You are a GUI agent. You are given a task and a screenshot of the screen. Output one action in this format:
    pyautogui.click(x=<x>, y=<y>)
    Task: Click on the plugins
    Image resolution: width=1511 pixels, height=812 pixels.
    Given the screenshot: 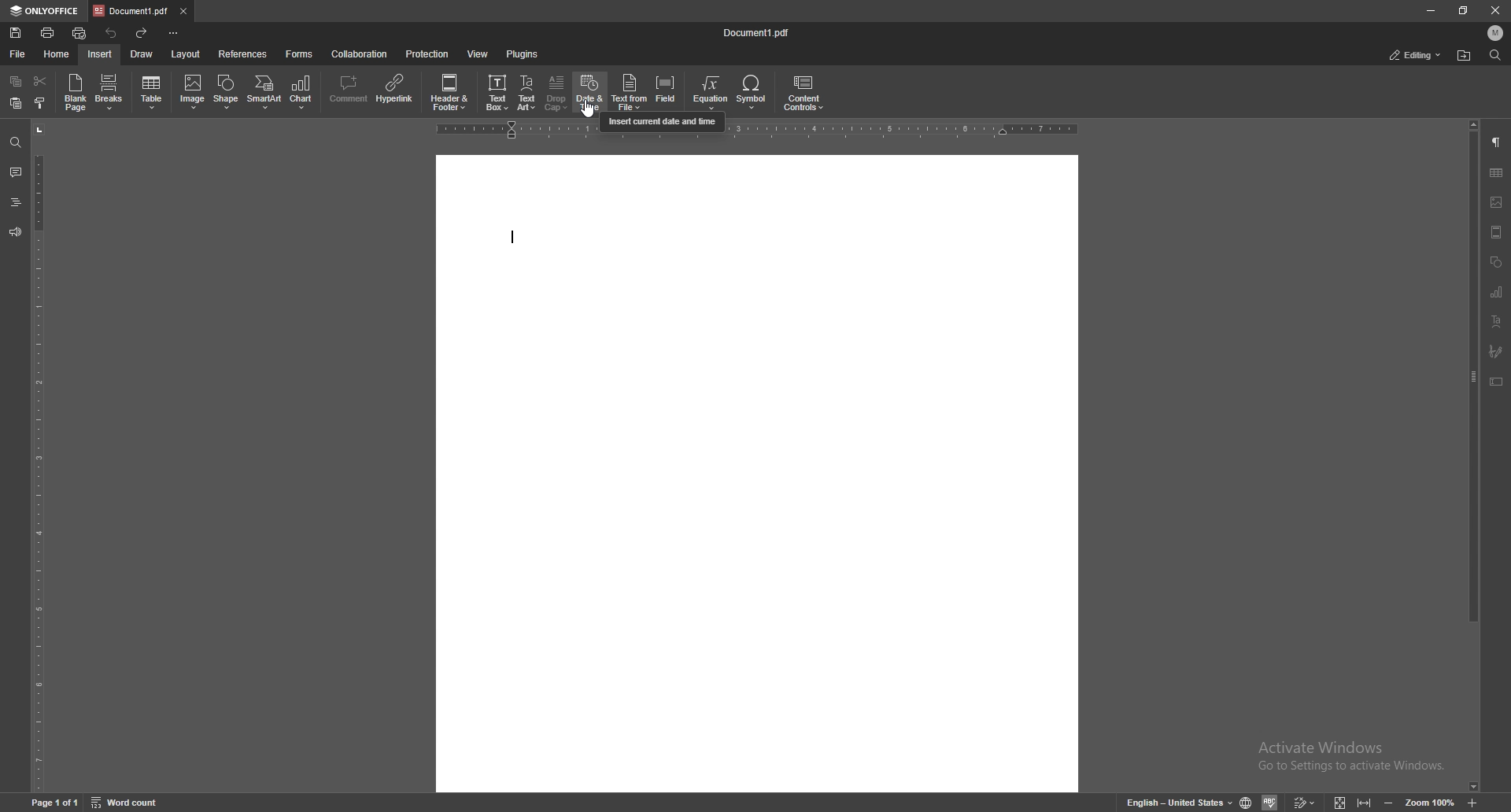 What is the action you would take?
    pyautogui.click(x=525, y=54)
    